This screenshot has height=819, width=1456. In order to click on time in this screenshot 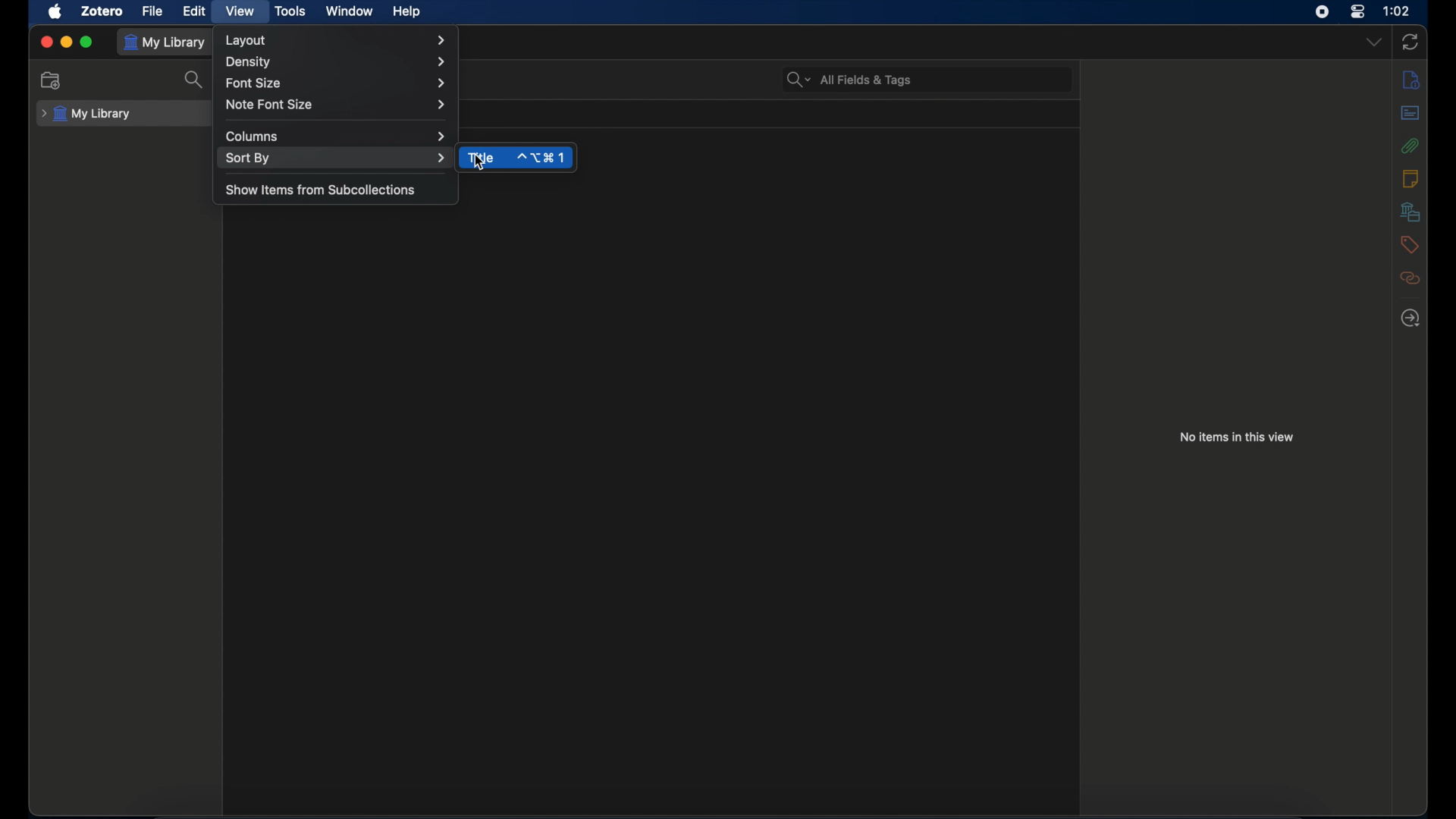, I will do `click(1397, 10)`.